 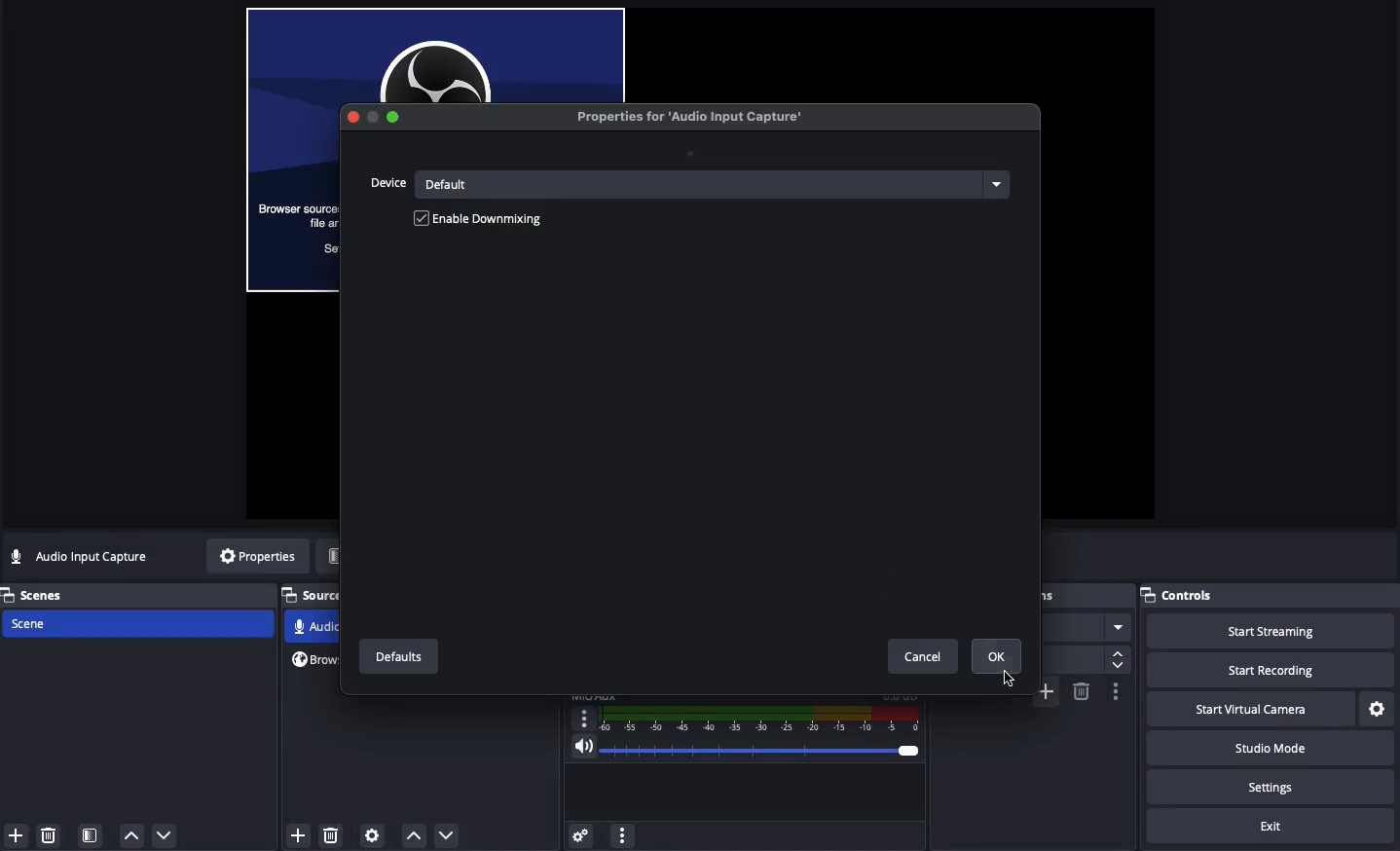 What do you see at coordinates (1006, 682) in the screenshot?
I see `Cursor` at bounding box center [1006, 682].